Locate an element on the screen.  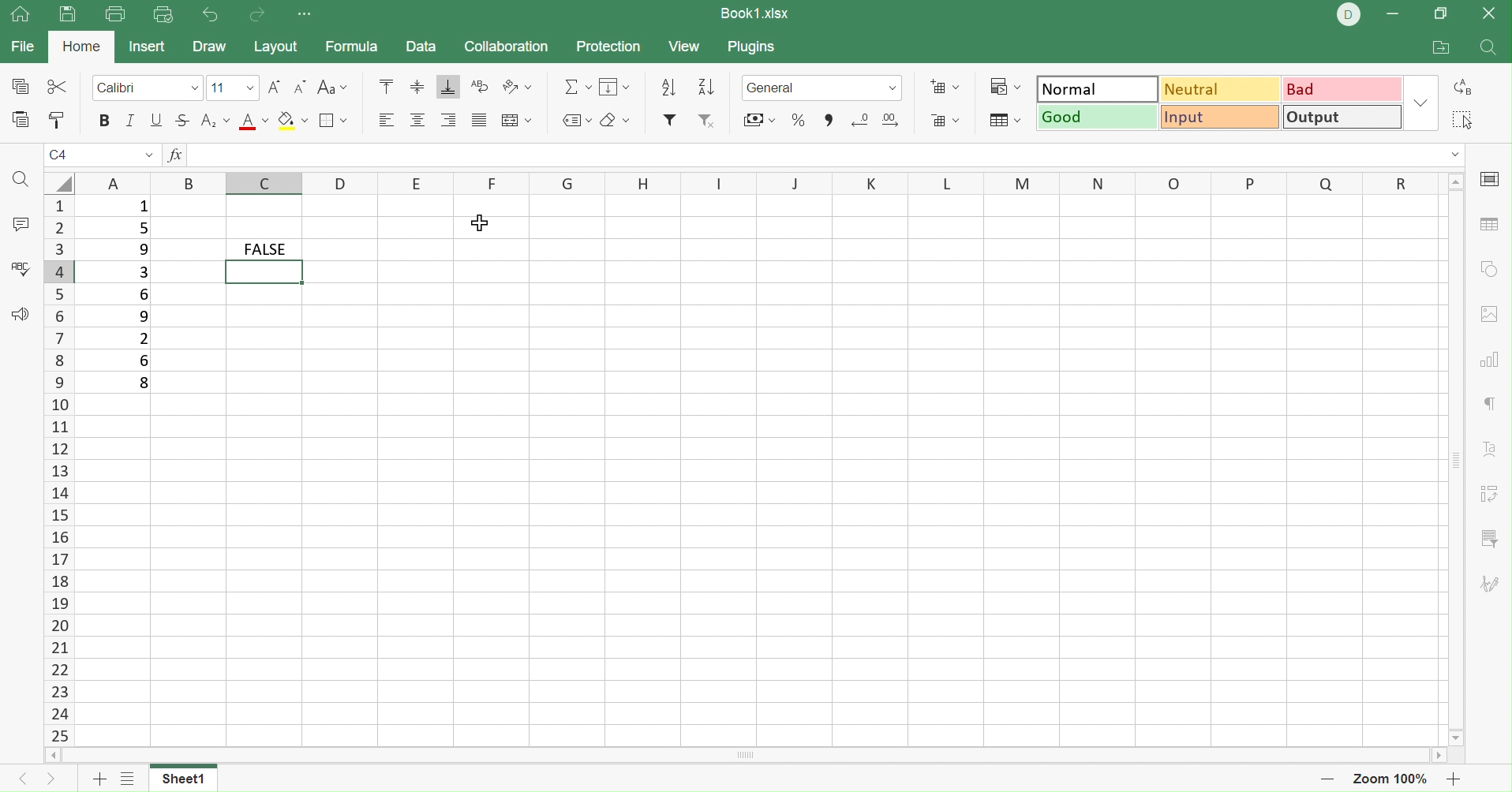
Conditional formatting is located at coordinates (1005, 85).